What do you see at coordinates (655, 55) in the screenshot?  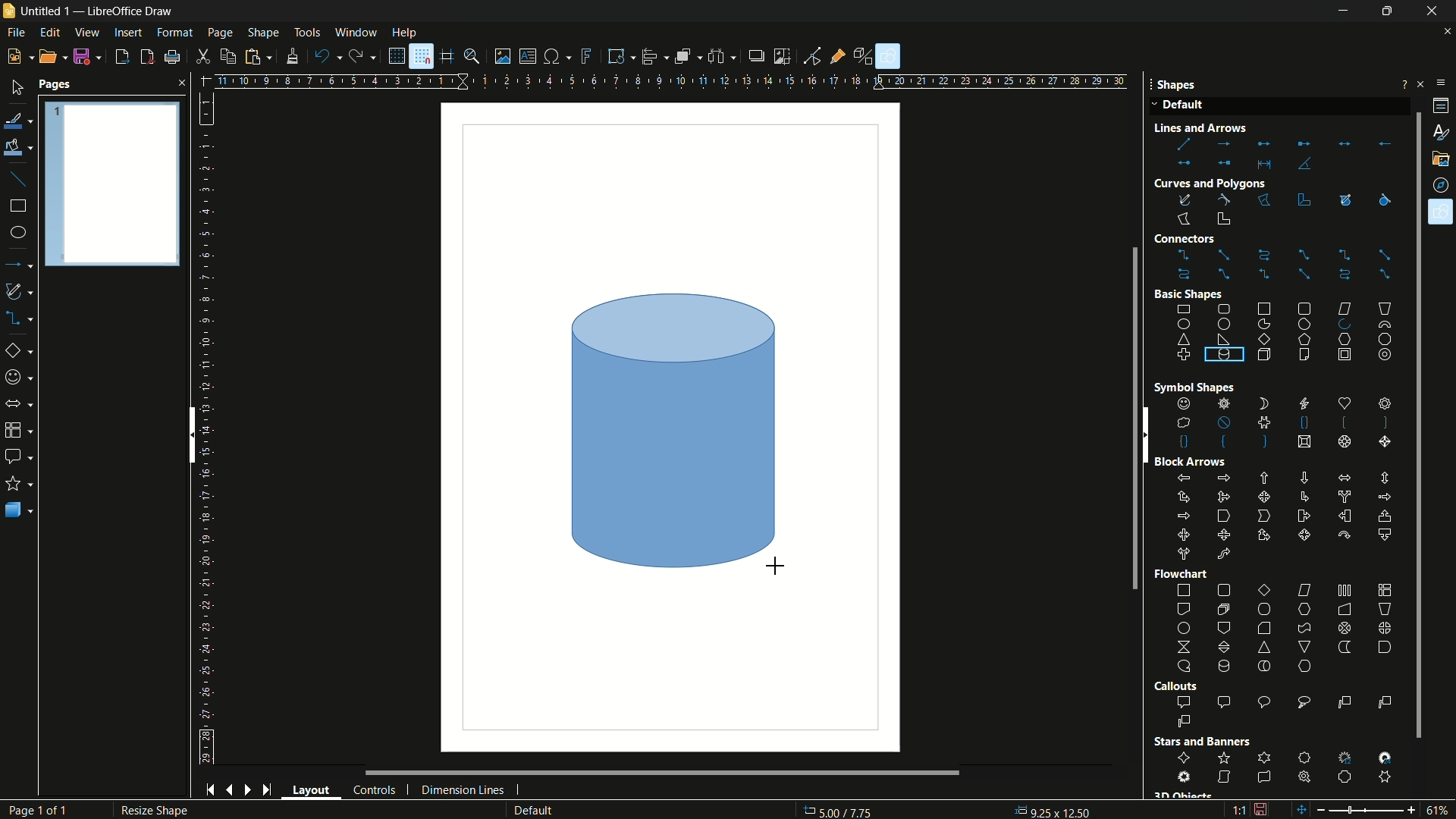 I see `align objects` at bounding box center [655, 55].